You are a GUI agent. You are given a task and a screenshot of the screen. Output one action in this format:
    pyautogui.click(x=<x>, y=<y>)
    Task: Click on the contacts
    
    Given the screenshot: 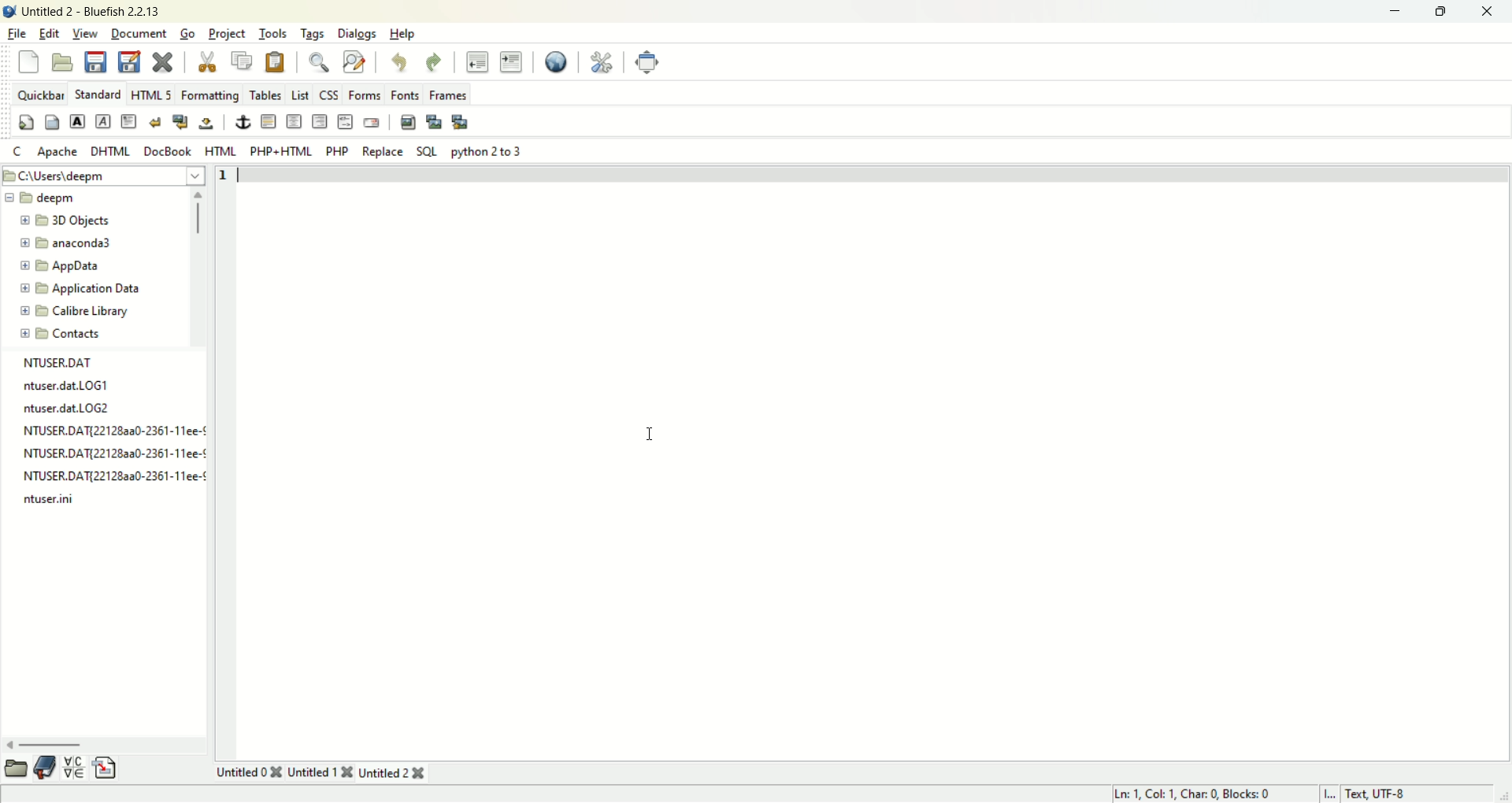 What is the action you would take?
    pyautogui.click(x=59, y=333)
    